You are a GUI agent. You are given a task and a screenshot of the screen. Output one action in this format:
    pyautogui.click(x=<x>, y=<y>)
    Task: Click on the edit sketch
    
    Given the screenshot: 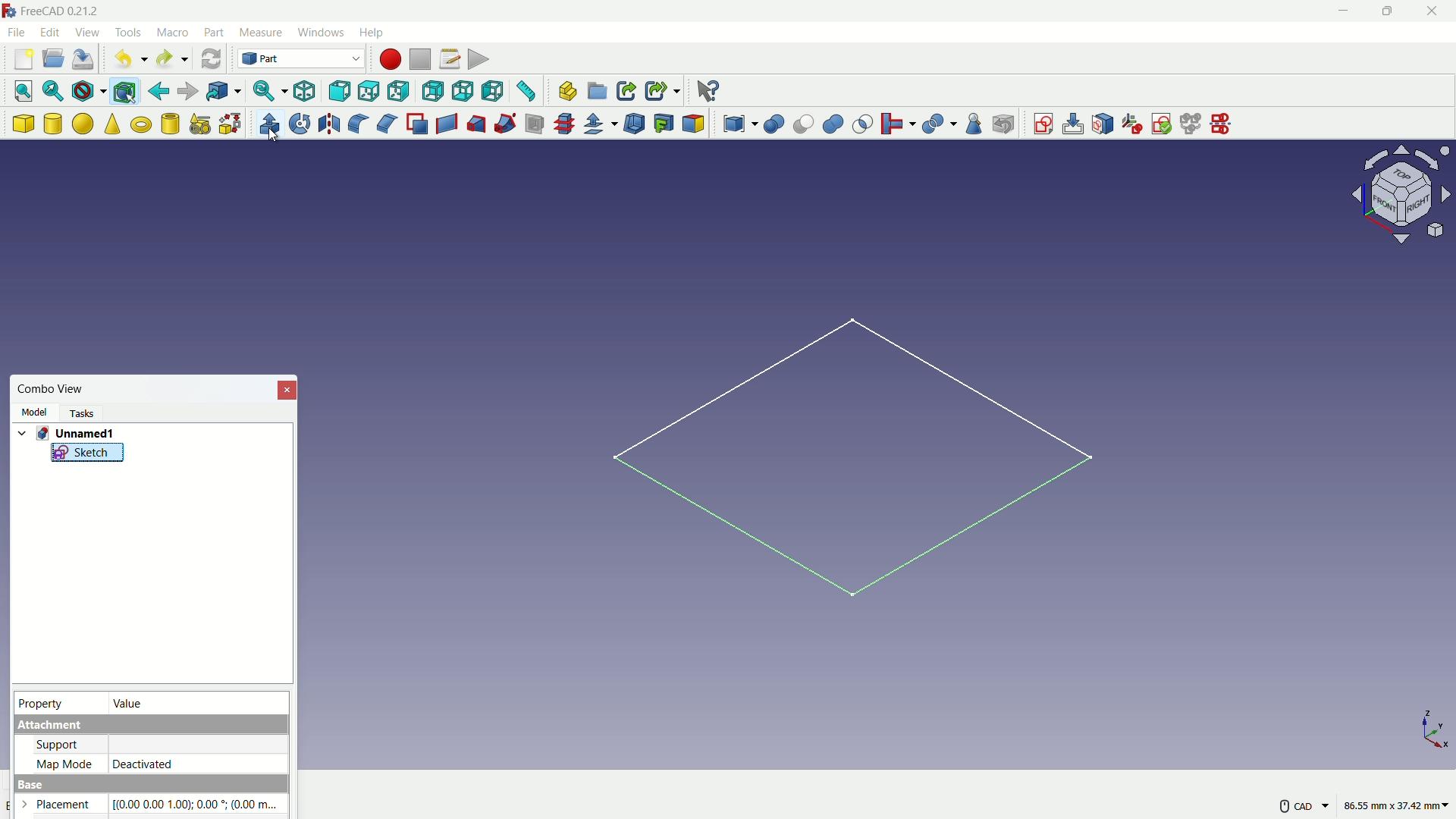 What is the action you would take?
    pyautogui.click(x=1072, y=124)
    